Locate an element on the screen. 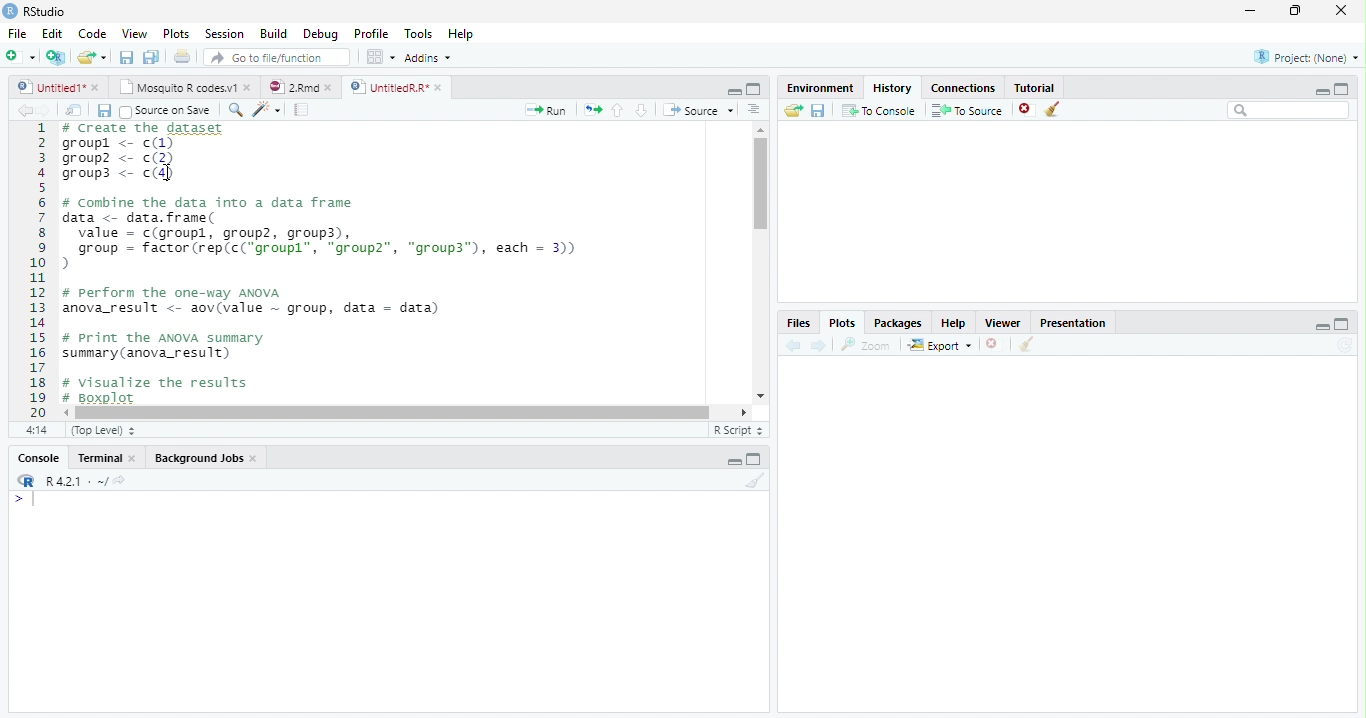 The image size is (1366, 718). Maximize is located at coordinates (754, 90).